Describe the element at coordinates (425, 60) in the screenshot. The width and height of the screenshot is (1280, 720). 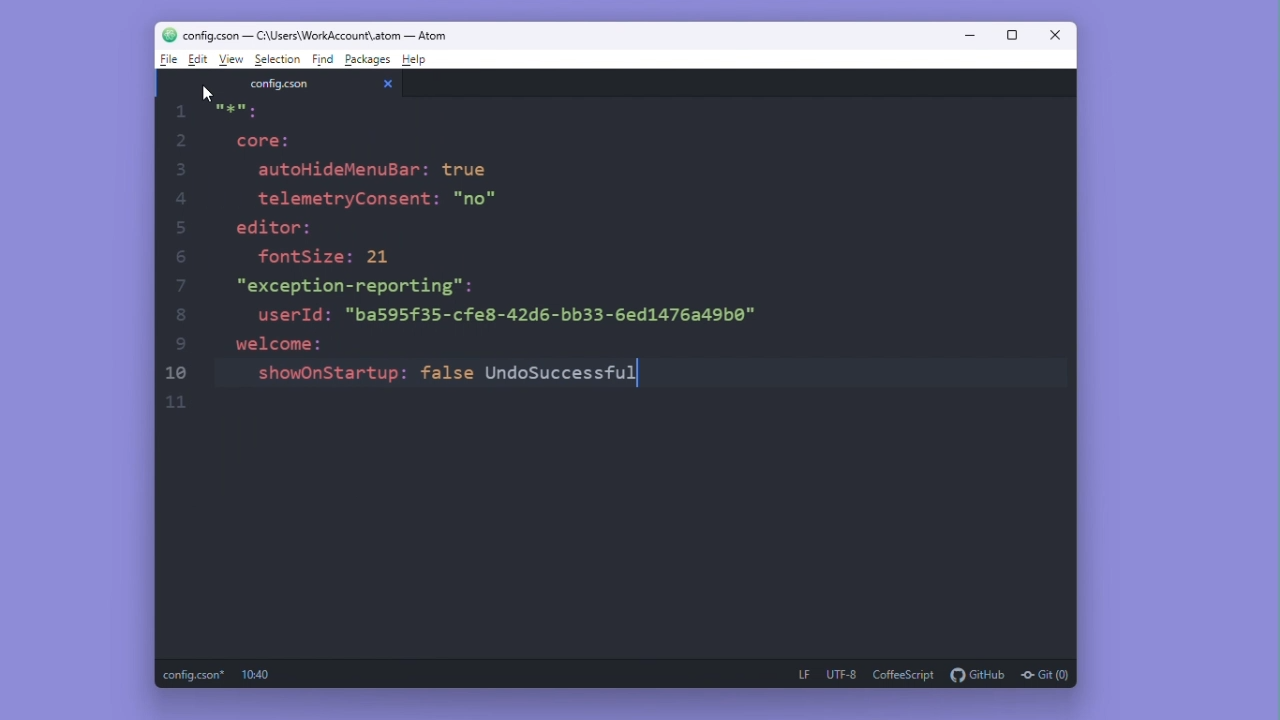
I see `Help ` at that location.